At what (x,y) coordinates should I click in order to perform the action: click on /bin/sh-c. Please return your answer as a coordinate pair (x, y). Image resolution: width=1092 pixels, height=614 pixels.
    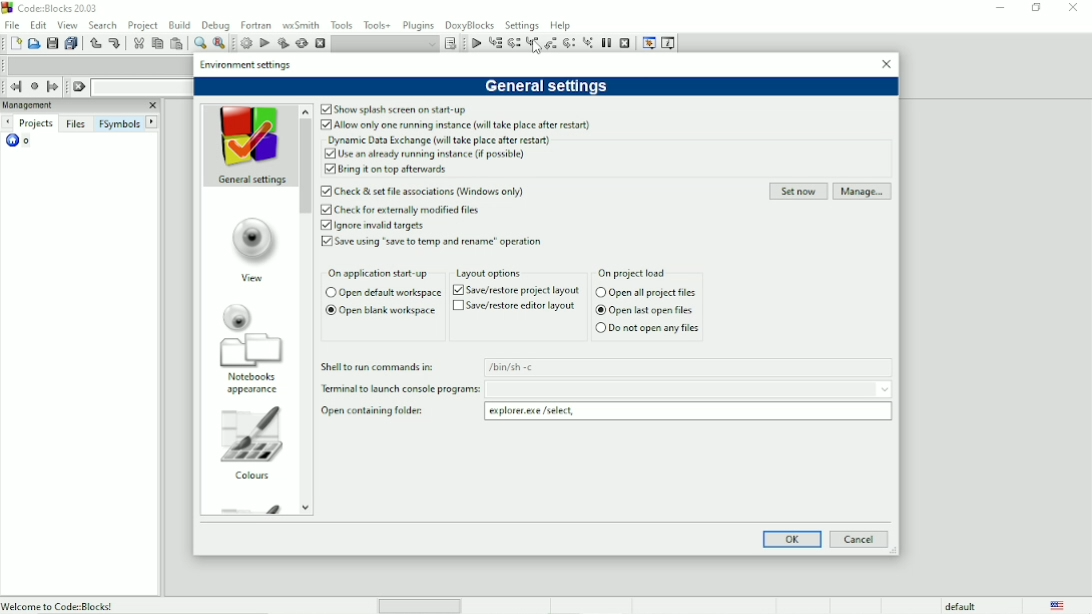
    Looking at the image, I should click on (689, 368).